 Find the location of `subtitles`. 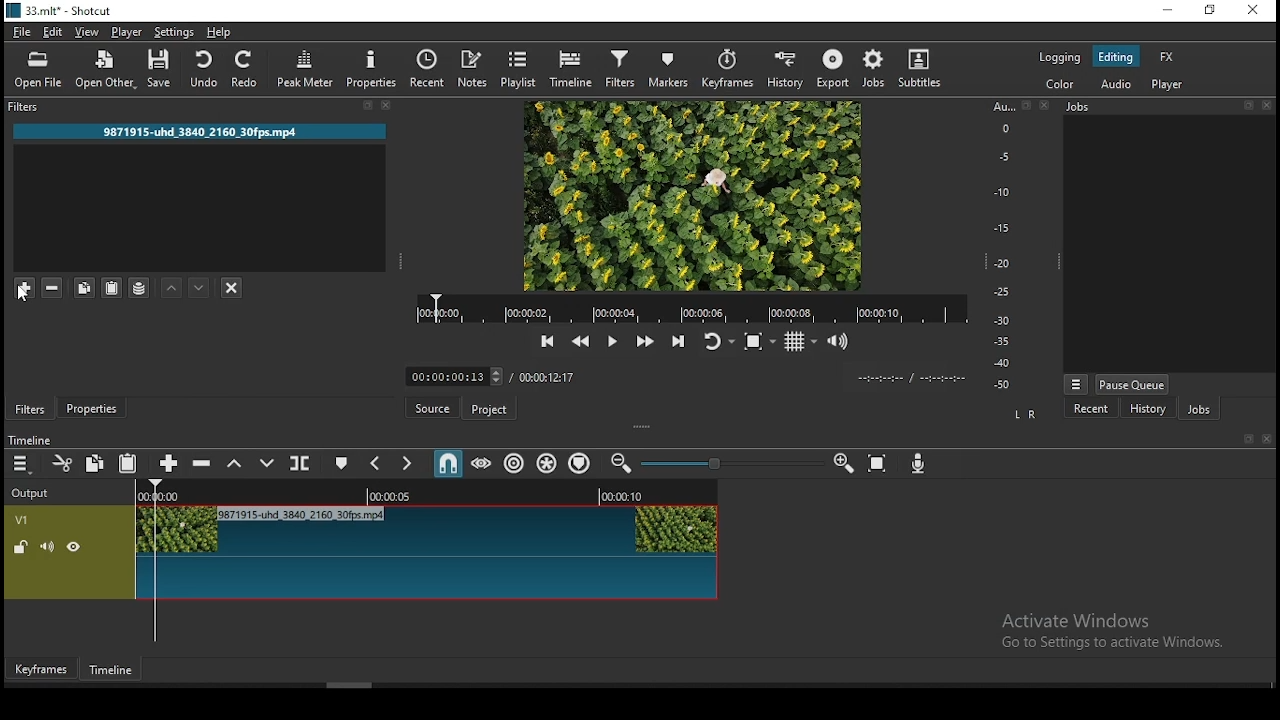

subtitles is located at coordinates (919, 70).